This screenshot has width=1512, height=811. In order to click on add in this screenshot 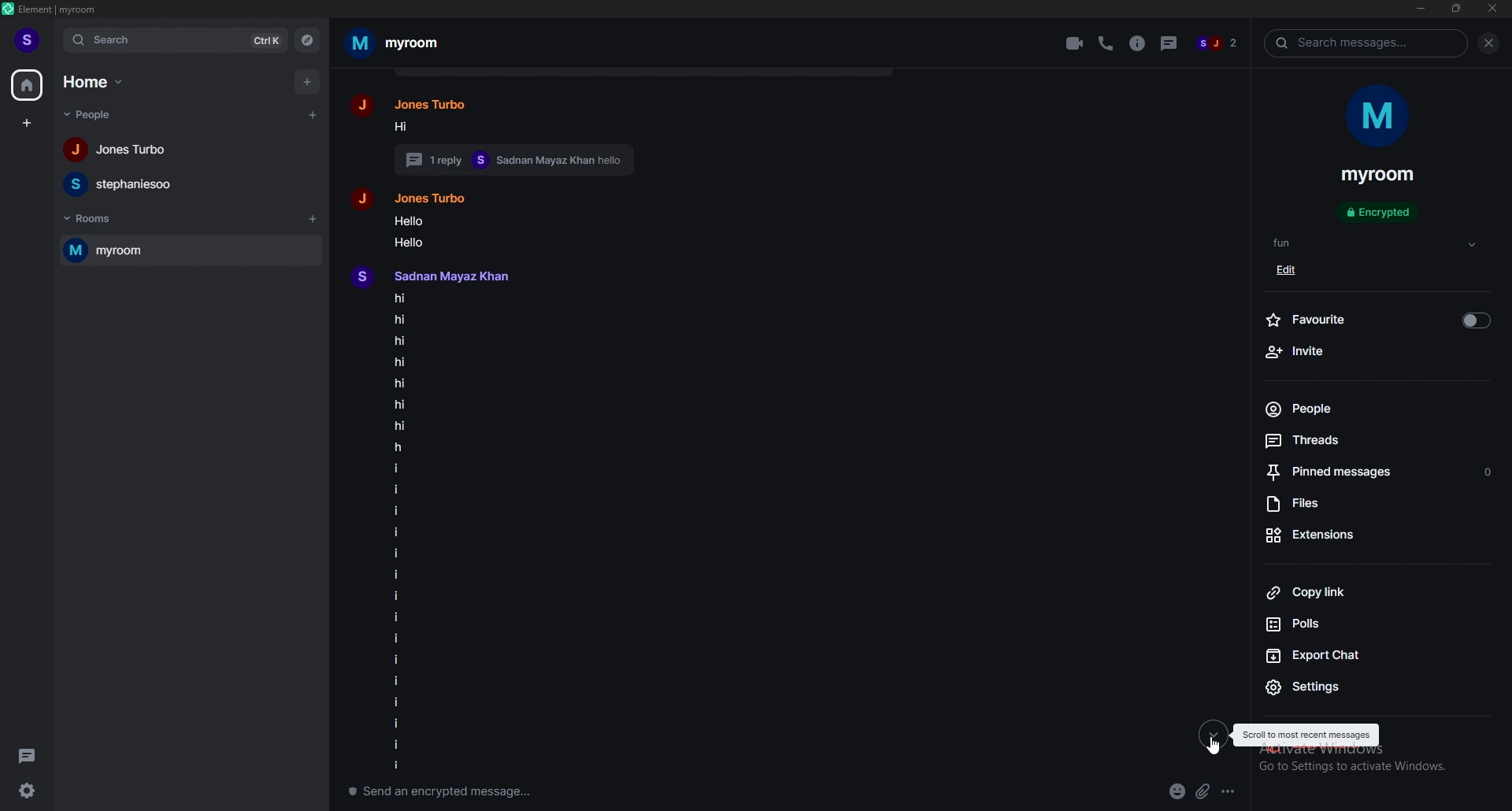, I will do `click(306, 81)`.